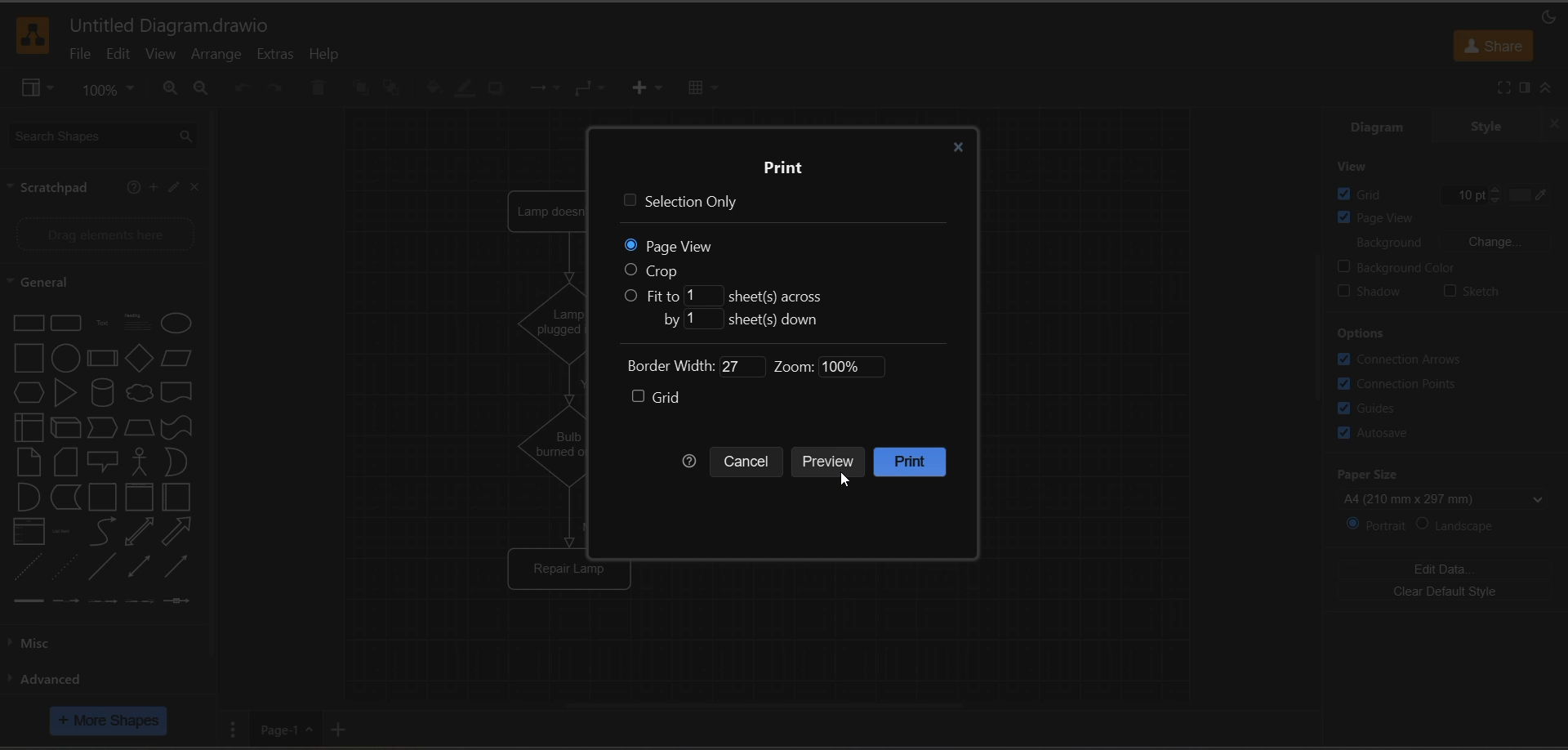  Describe the element at coordinates (742, 319) in the screenshot. I see `fit by` at that location.